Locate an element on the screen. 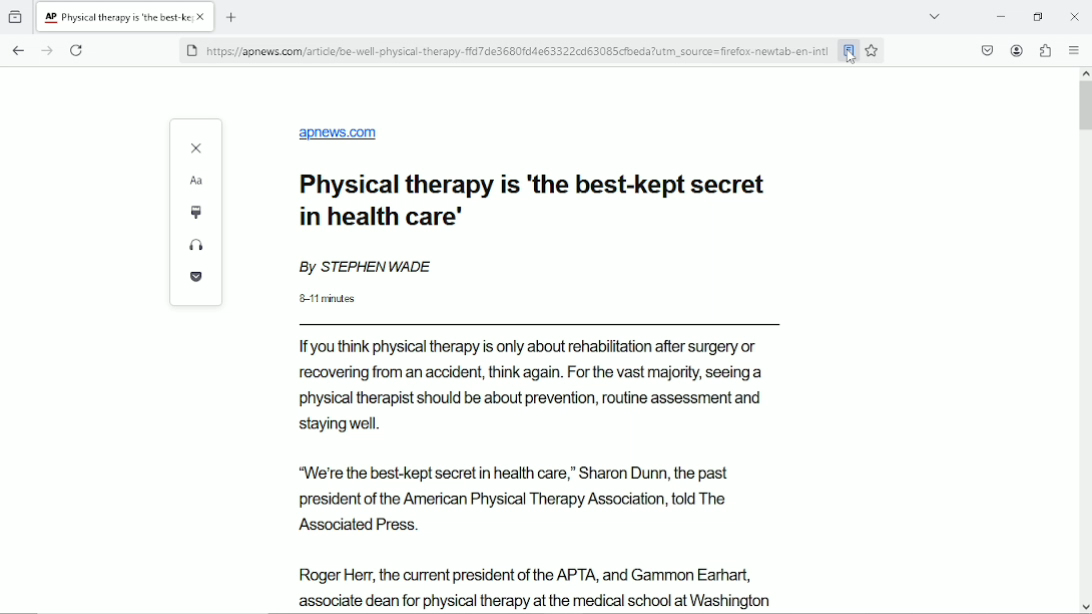 Image resolution: width=1092 pixels, height=614 pixels. new tab is located at coordinates (233, 17).